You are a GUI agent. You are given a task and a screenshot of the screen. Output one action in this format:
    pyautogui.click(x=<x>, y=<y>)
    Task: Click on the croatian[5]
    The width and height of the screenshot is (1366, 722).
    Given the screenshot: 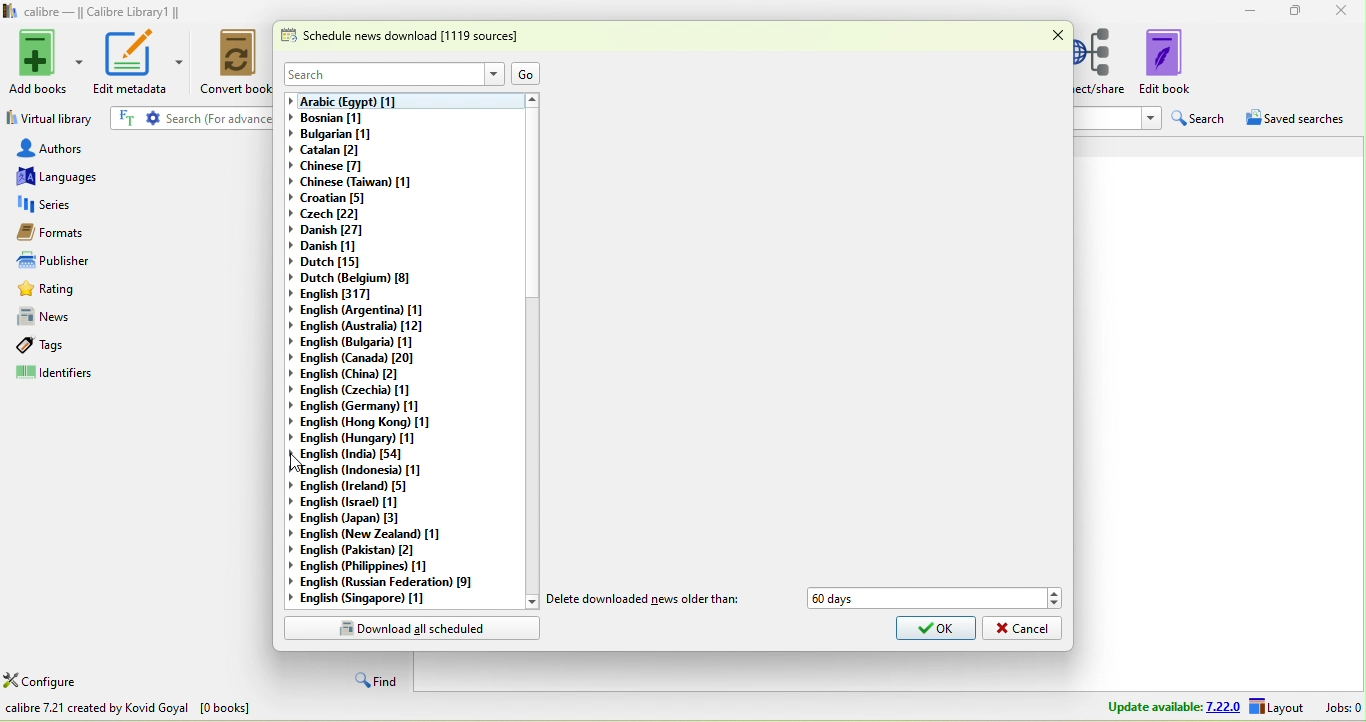 What is the action you would take?
    pyautogui.click(x=336, y=198)
    